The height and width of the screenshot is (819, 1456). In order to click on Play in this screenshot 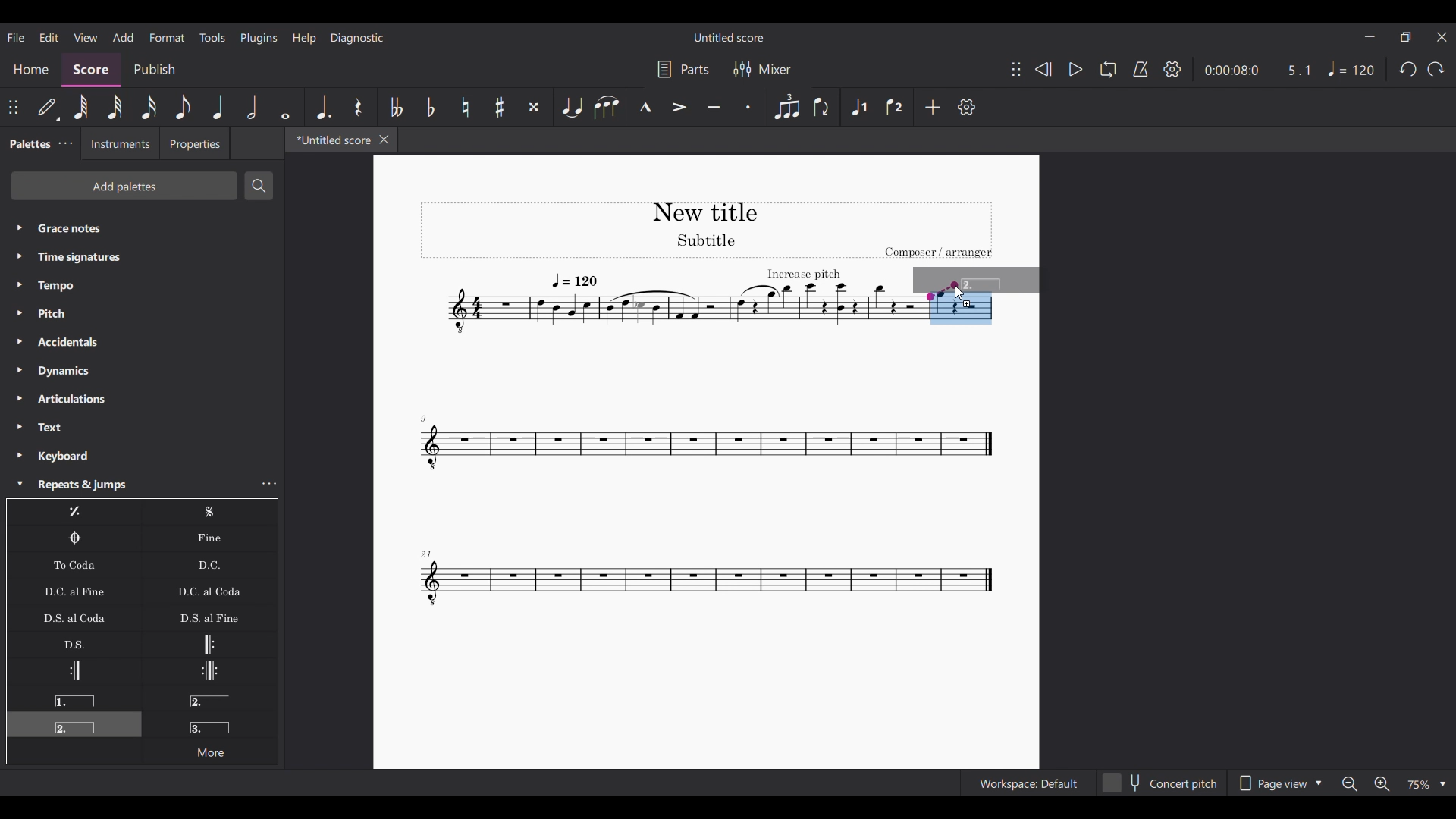, I will do `click(1075, 70)`.